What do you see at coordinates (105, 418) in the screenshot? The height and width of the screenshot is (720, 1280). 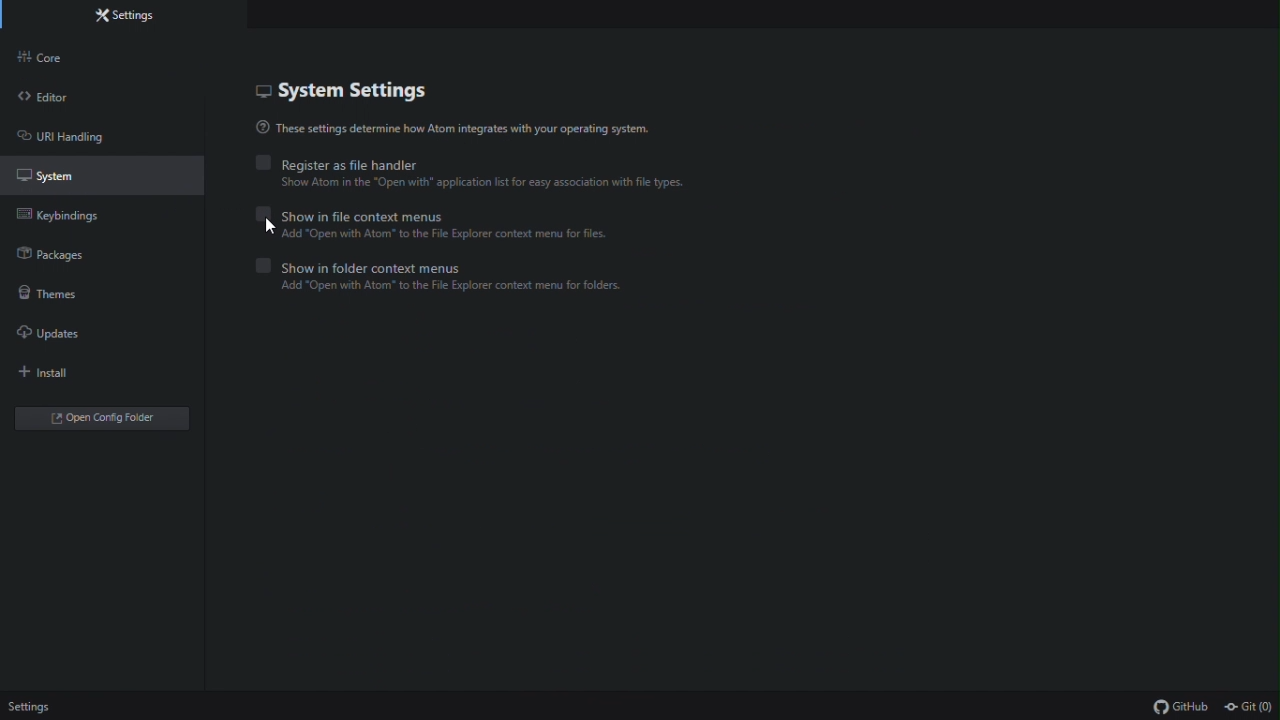 I see `open folder` at bounding box center [105, 418].